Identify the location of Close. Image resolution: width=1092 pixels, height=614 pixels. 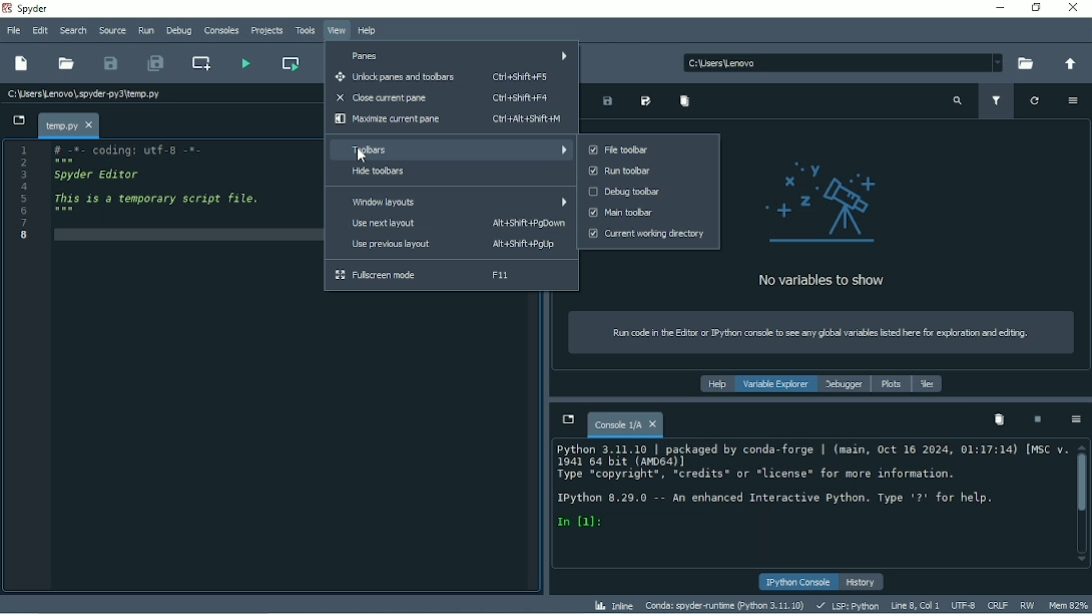
(1074, 8).